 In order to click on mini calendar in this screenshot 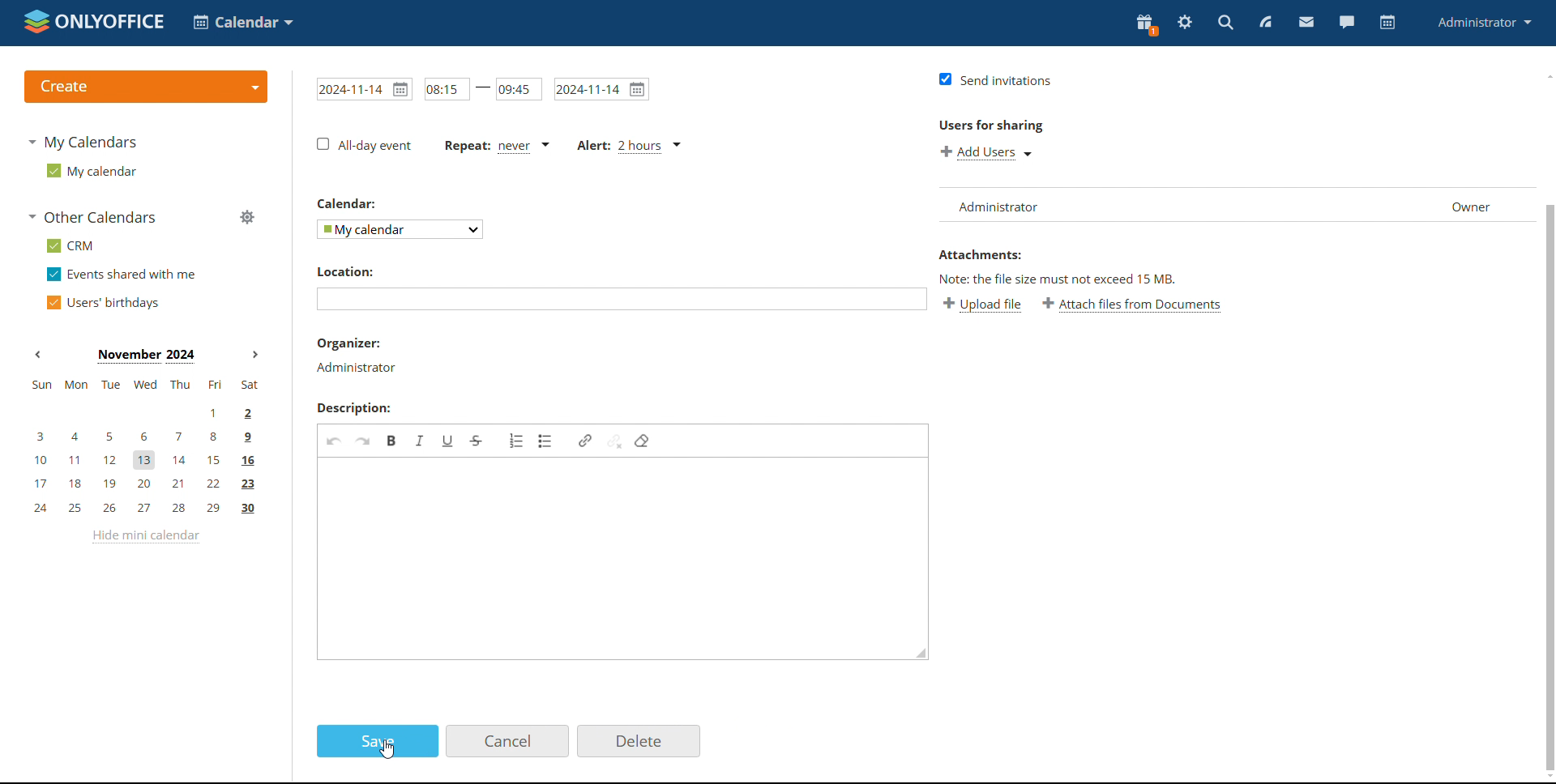, I will do `click(143, 449)`.